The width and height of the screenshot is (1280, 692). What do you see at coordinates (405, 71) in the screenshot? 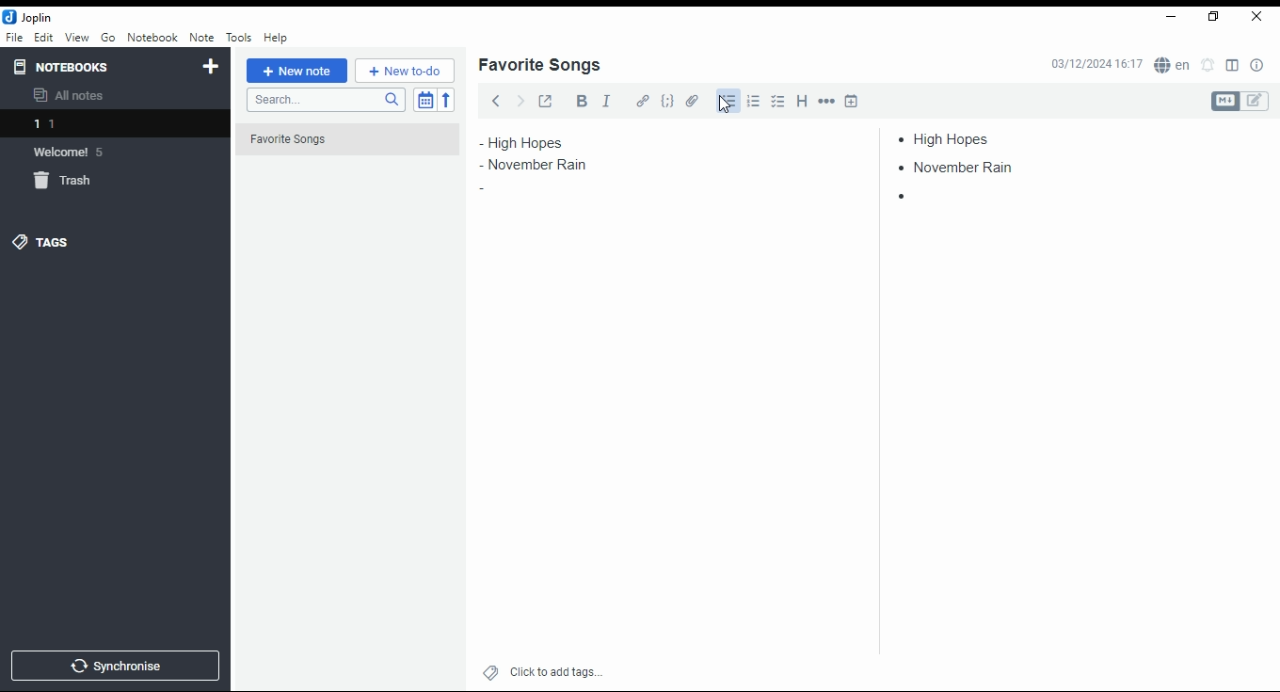
I see `New to-do` at bounding box center [405, 71].